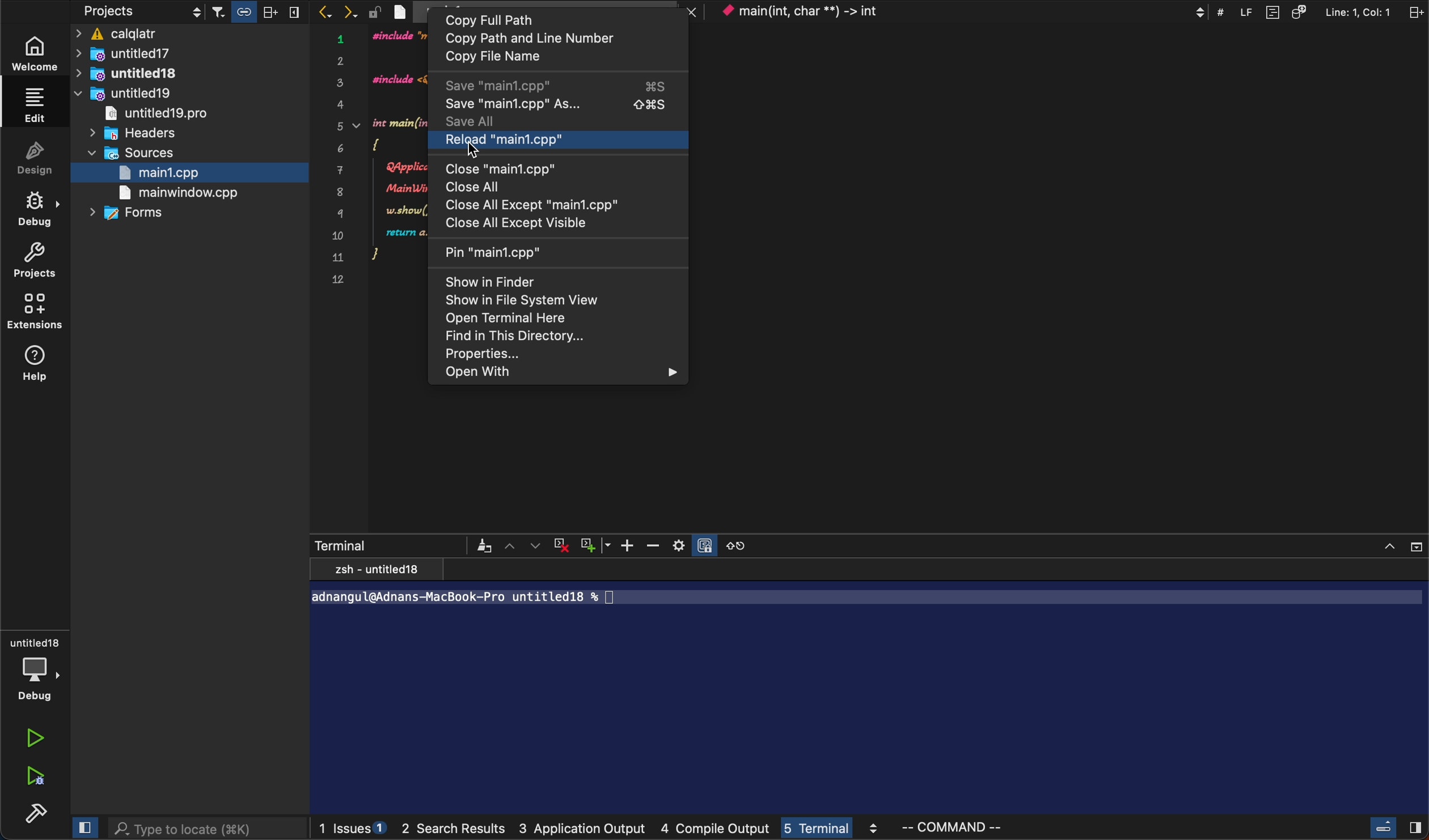  What do you see at coordinates (501, 251) in the screenshot?
I see `pin main1` at bounding box center [501, 251].